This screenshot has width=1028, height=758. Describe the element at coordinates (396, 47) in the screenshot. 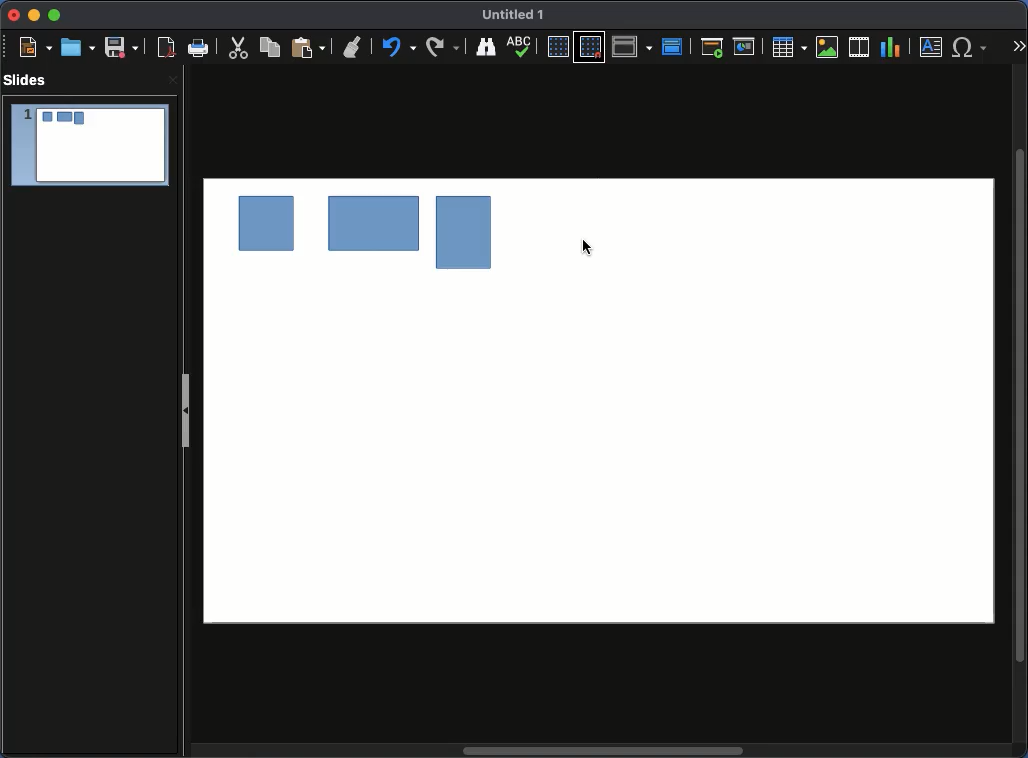

I see `Redo` at that location.